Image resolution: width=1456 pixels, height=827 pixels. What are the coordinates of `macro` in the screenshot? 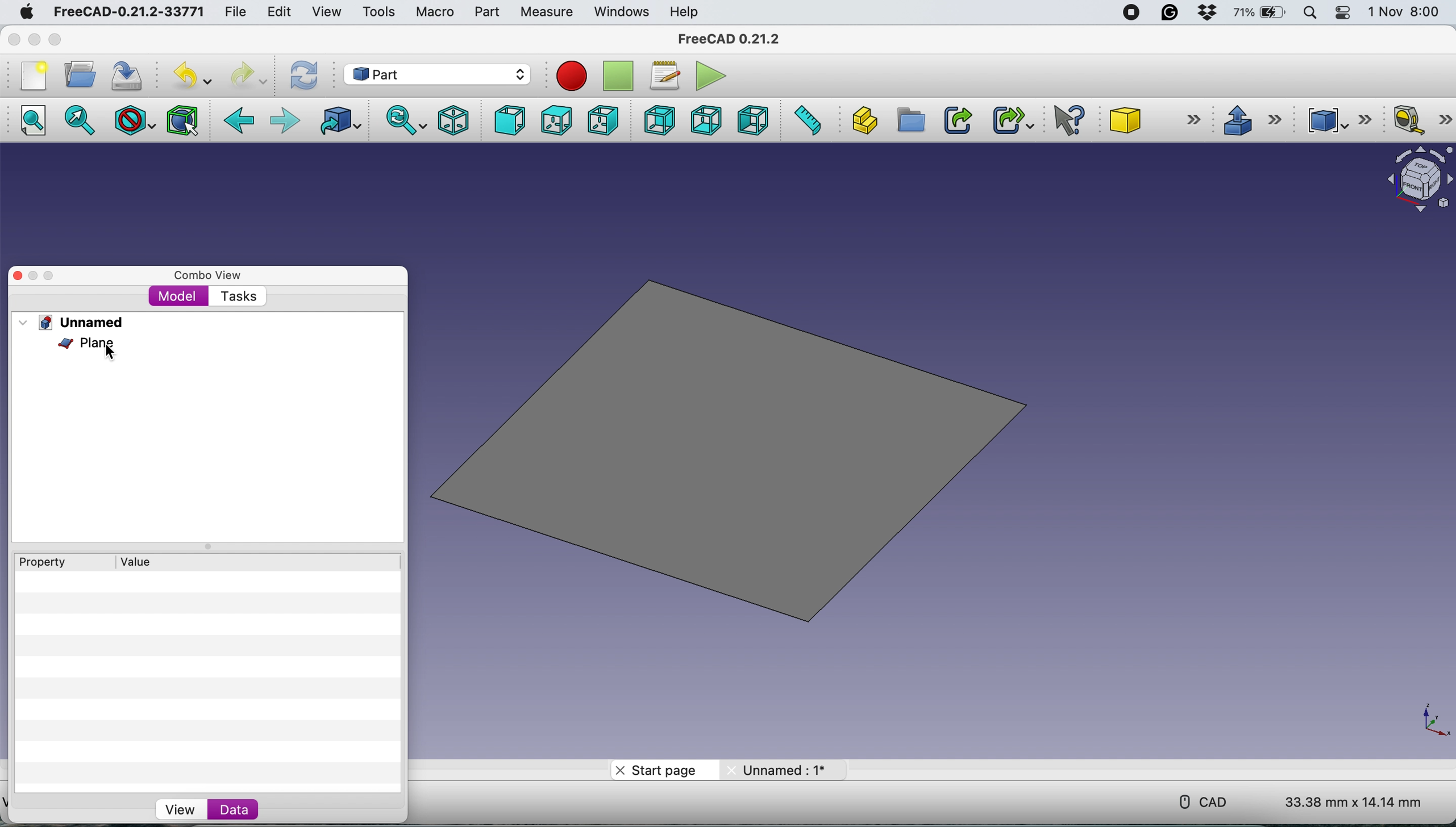 It's located at (432, 12).